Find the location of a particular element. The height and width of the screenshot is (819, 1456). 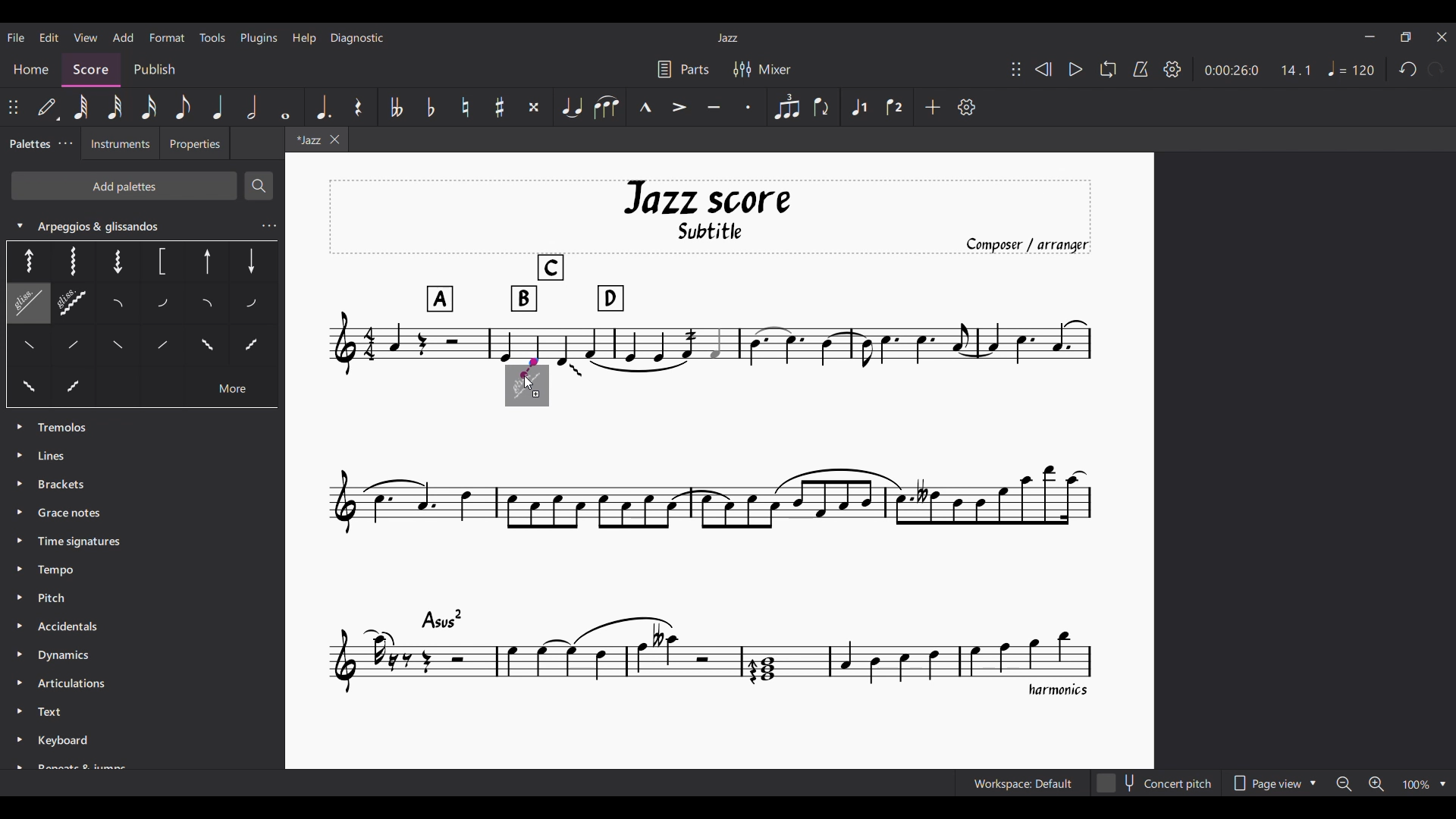

Search is located at coordinates (258, 186).